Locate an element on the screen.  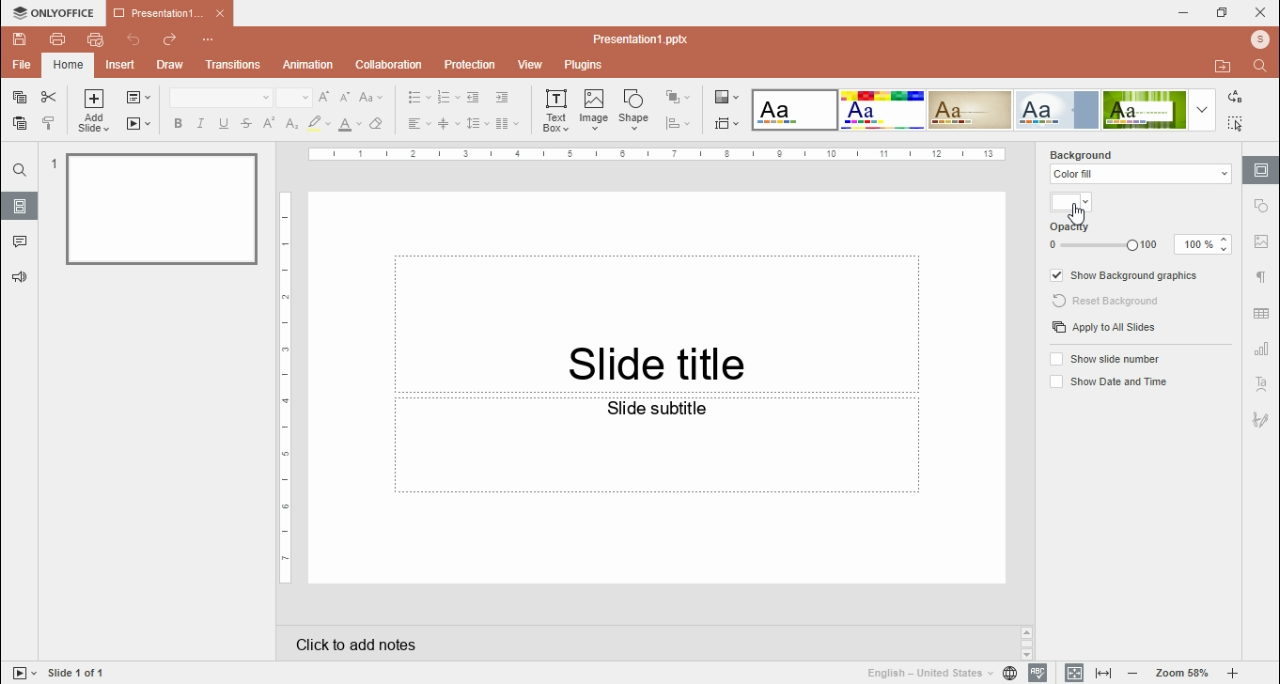
text art settings is located at coordinates (1262, 385).